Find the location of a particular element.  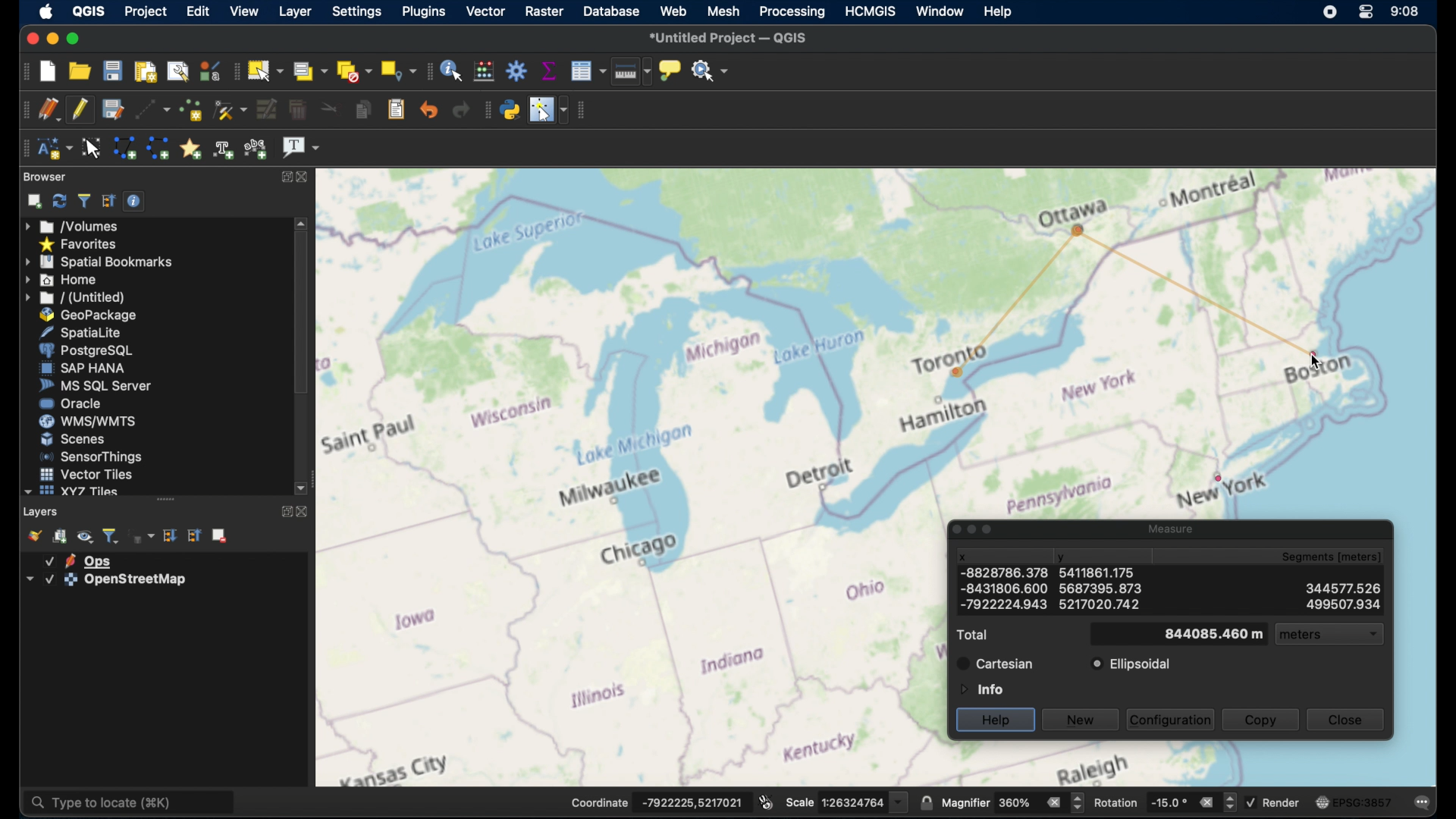

collapse all is located at coordinates (108, 201).